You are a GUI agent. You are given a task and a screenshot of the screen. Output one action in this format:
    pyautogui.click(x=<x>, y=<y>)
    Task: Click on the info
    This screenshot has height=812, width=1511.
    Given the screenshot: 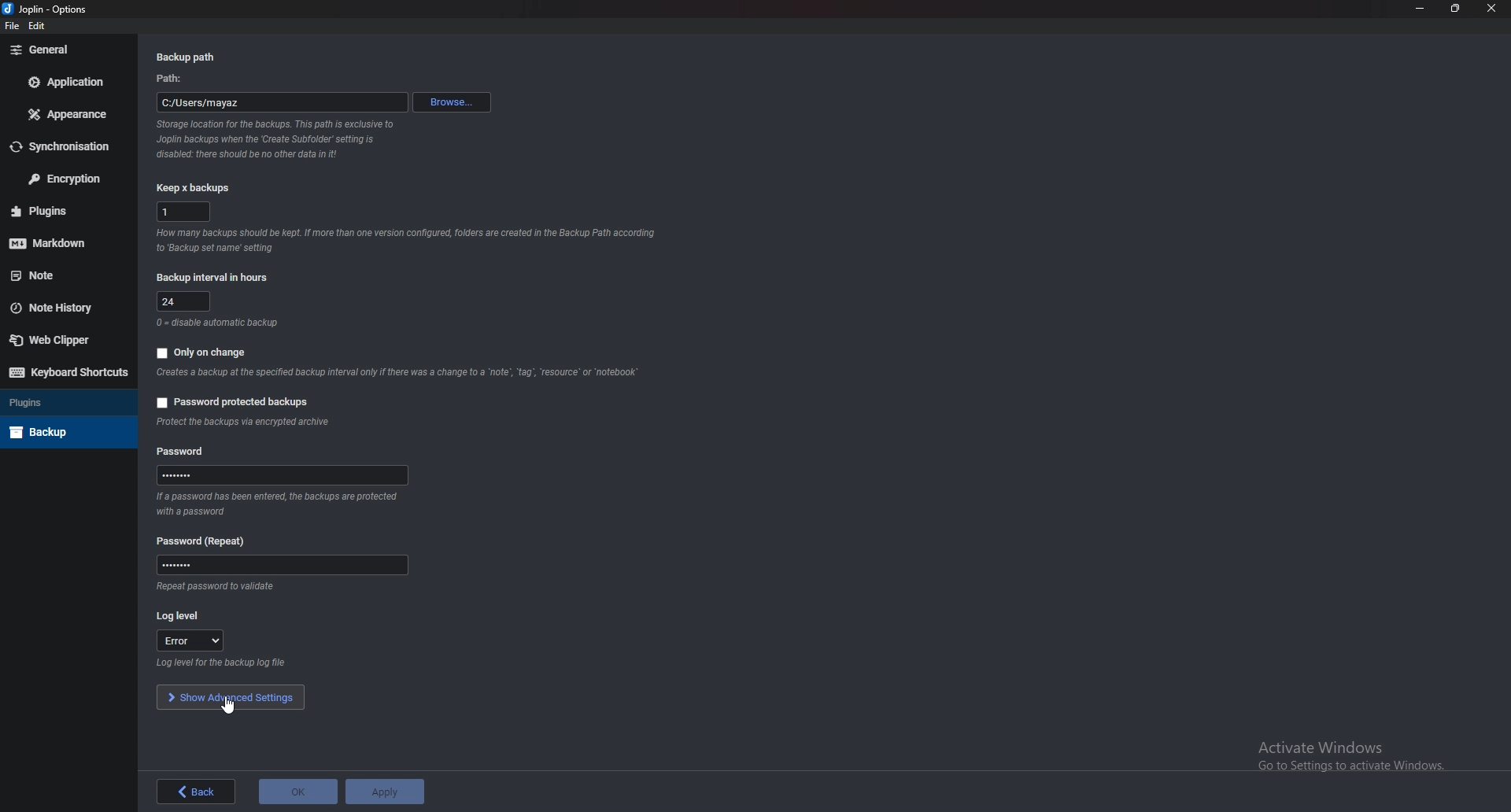 What is the action you would take?
    pyautogui.click(x=217, y=324)
    